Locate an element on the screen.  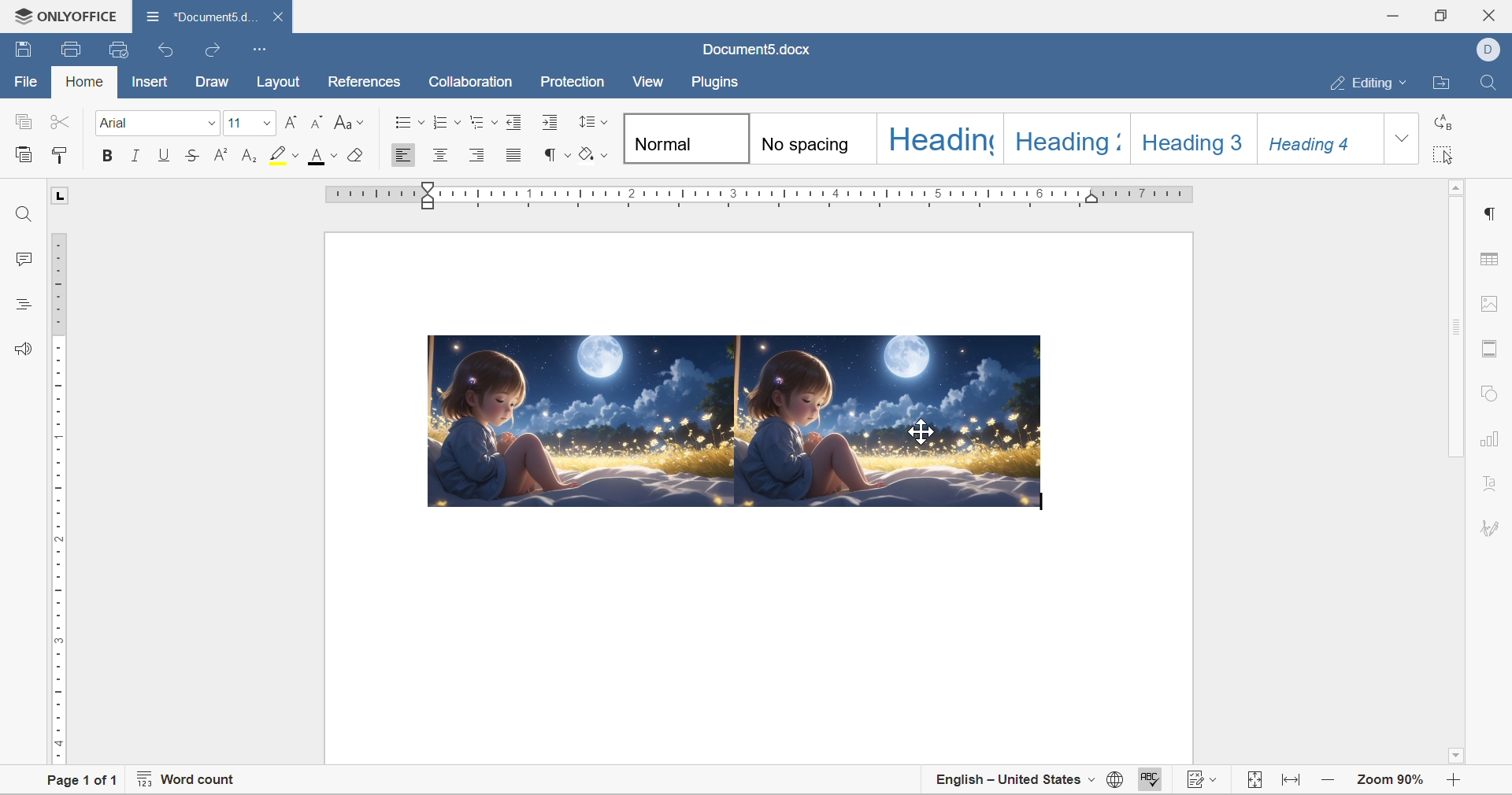
comments is located at coordinates (24, 258).